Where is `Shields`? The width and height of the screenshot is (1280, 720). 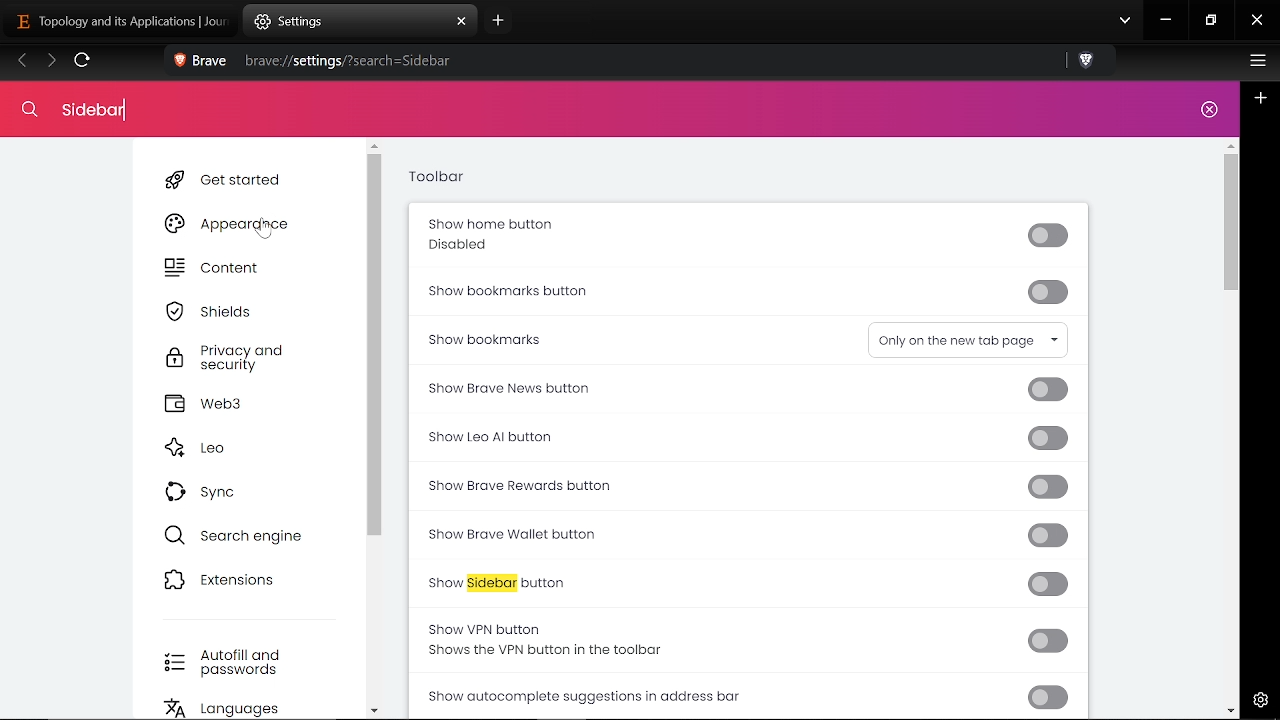
Shields is located at coordinates (223, 311).